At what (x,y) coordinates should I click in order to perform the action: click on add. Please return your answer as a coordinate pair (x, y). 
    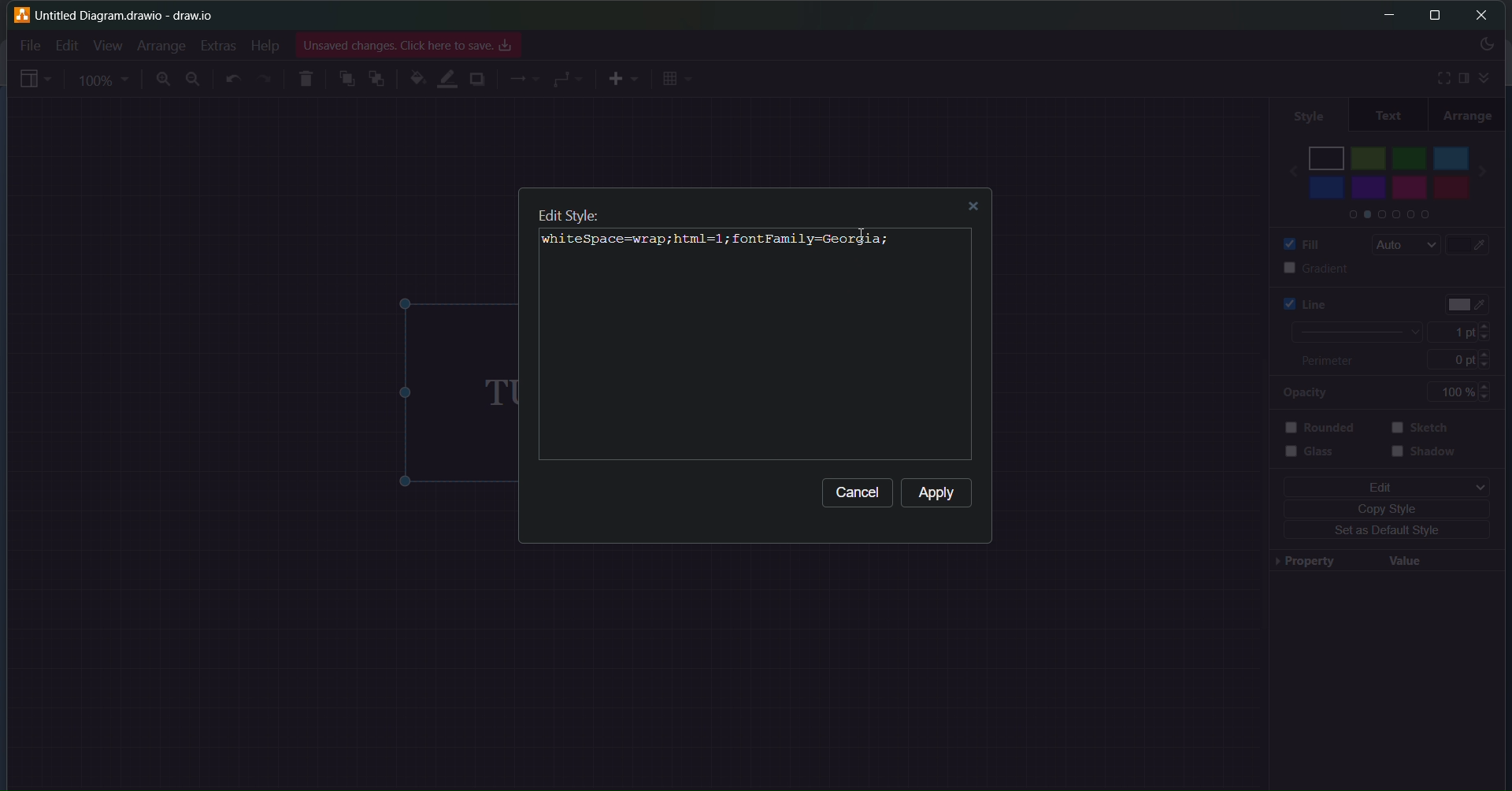
    Looking at the image, I should click on (622, 79).